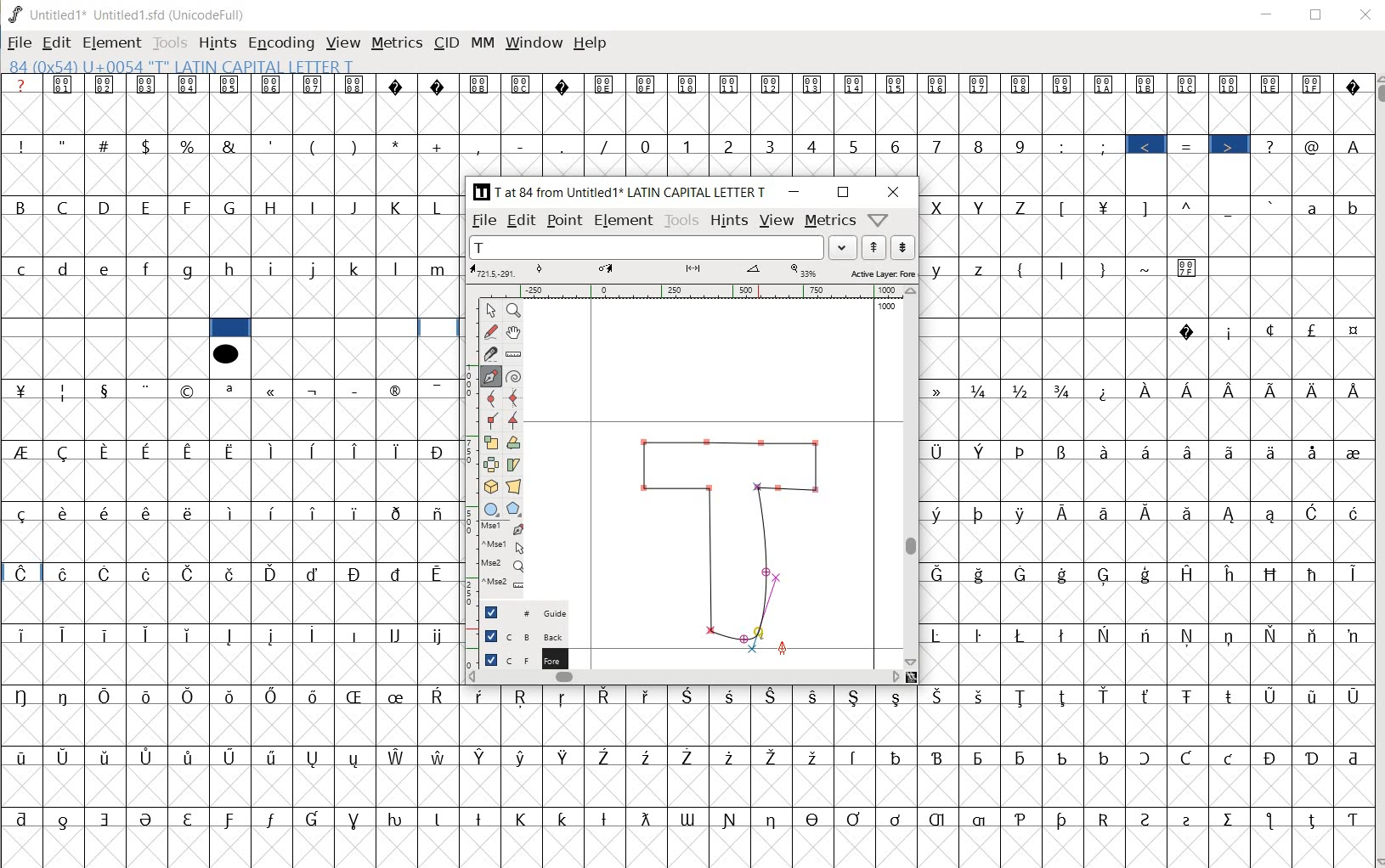 Image resolution: width=1385 pixels, height=868 pixels. What do you see at coordinates (357, 86) in the screenshot?
I see `Symbol` at bounding box center [357, 86].